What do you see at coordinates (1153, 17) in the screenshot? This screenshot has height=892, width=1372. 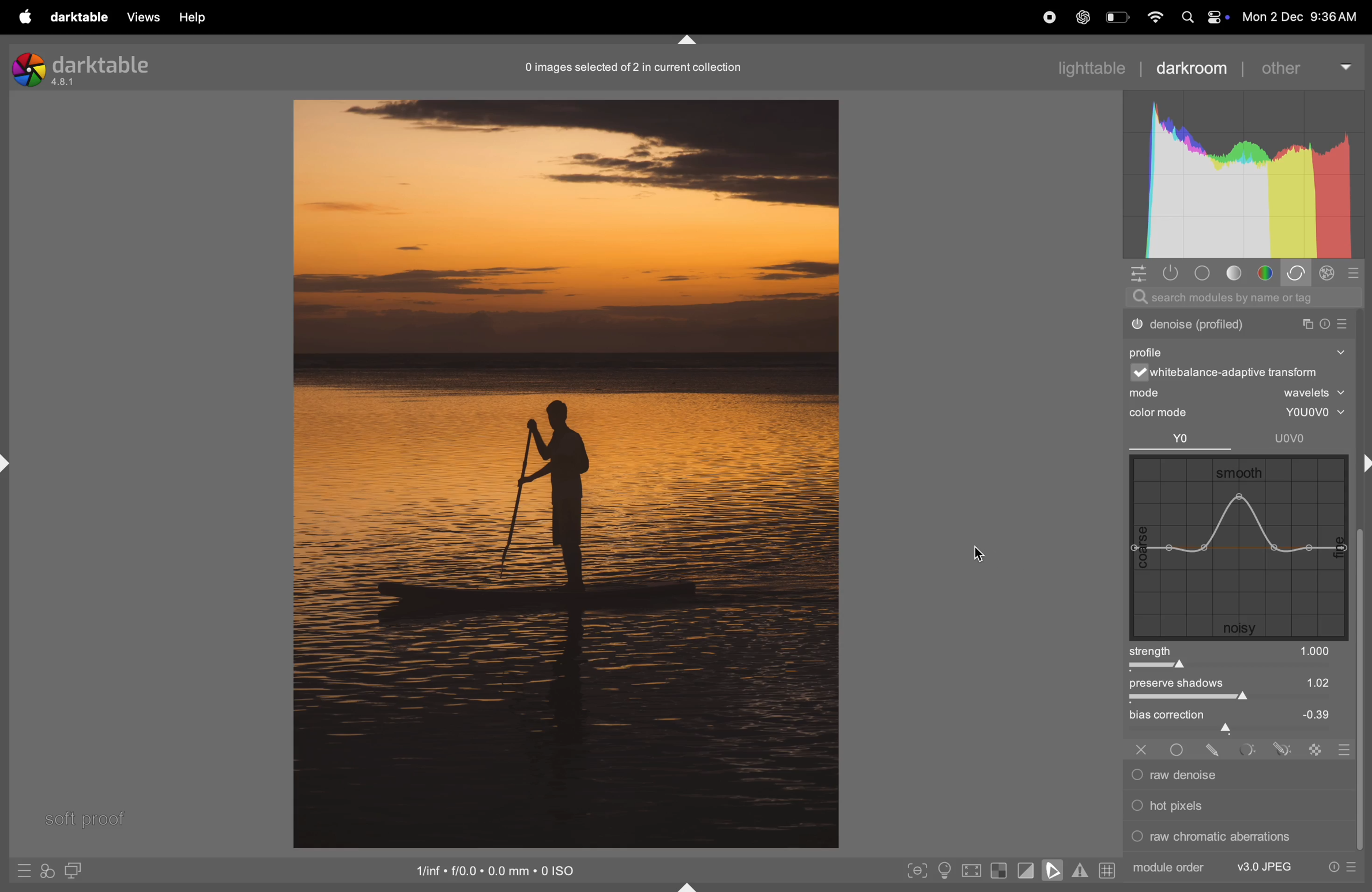 I see `wifi` at bounding box center [1153, 17].